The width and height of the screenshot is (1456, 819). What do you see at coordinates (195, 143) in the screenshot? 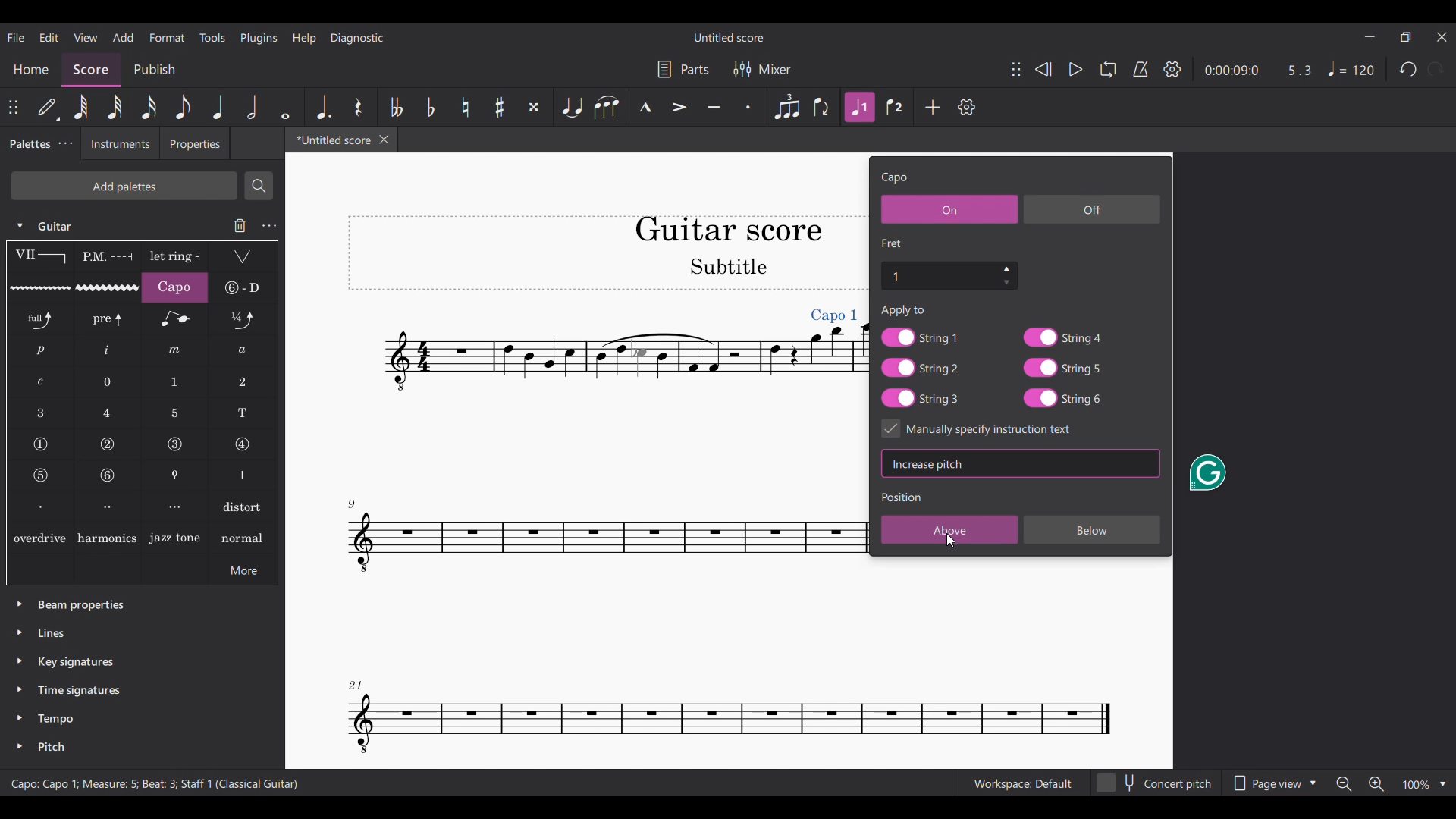
I see `Properties tab` at bounding box center [195, 143].